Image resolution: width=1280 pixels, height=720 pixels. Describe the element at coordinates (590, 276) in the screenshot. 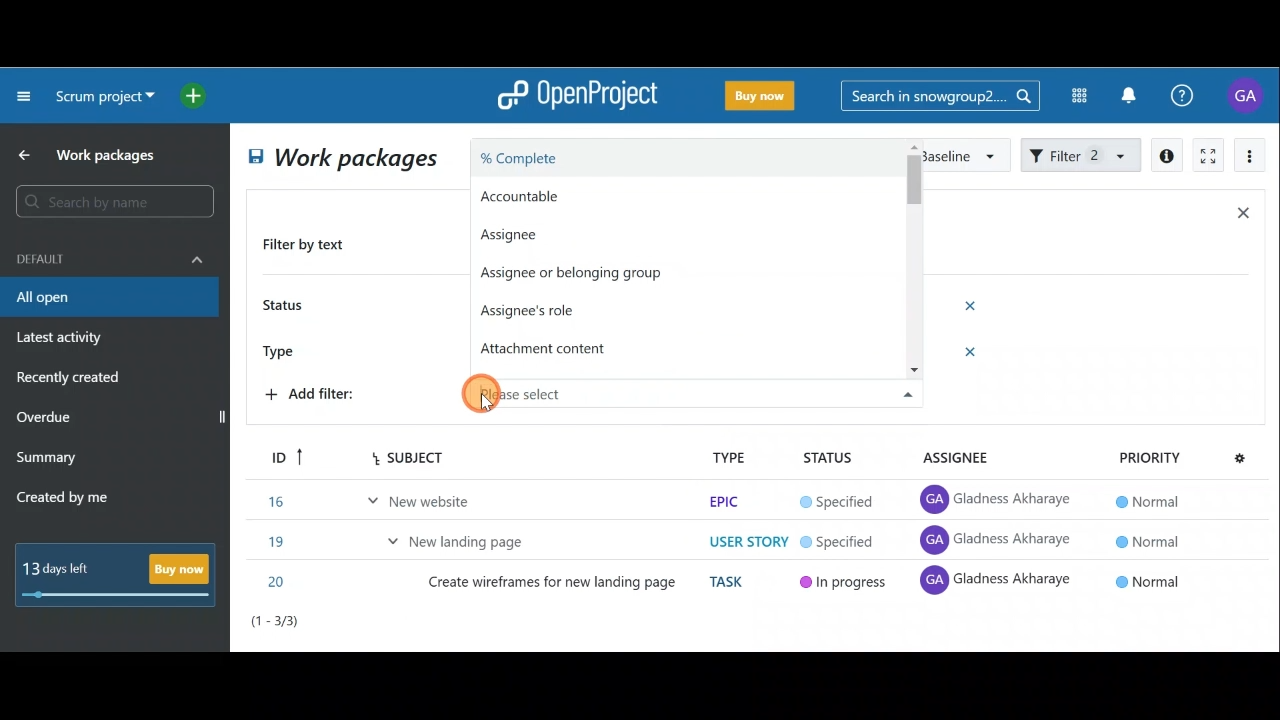

I see `Assignee or belonging group` at that location.